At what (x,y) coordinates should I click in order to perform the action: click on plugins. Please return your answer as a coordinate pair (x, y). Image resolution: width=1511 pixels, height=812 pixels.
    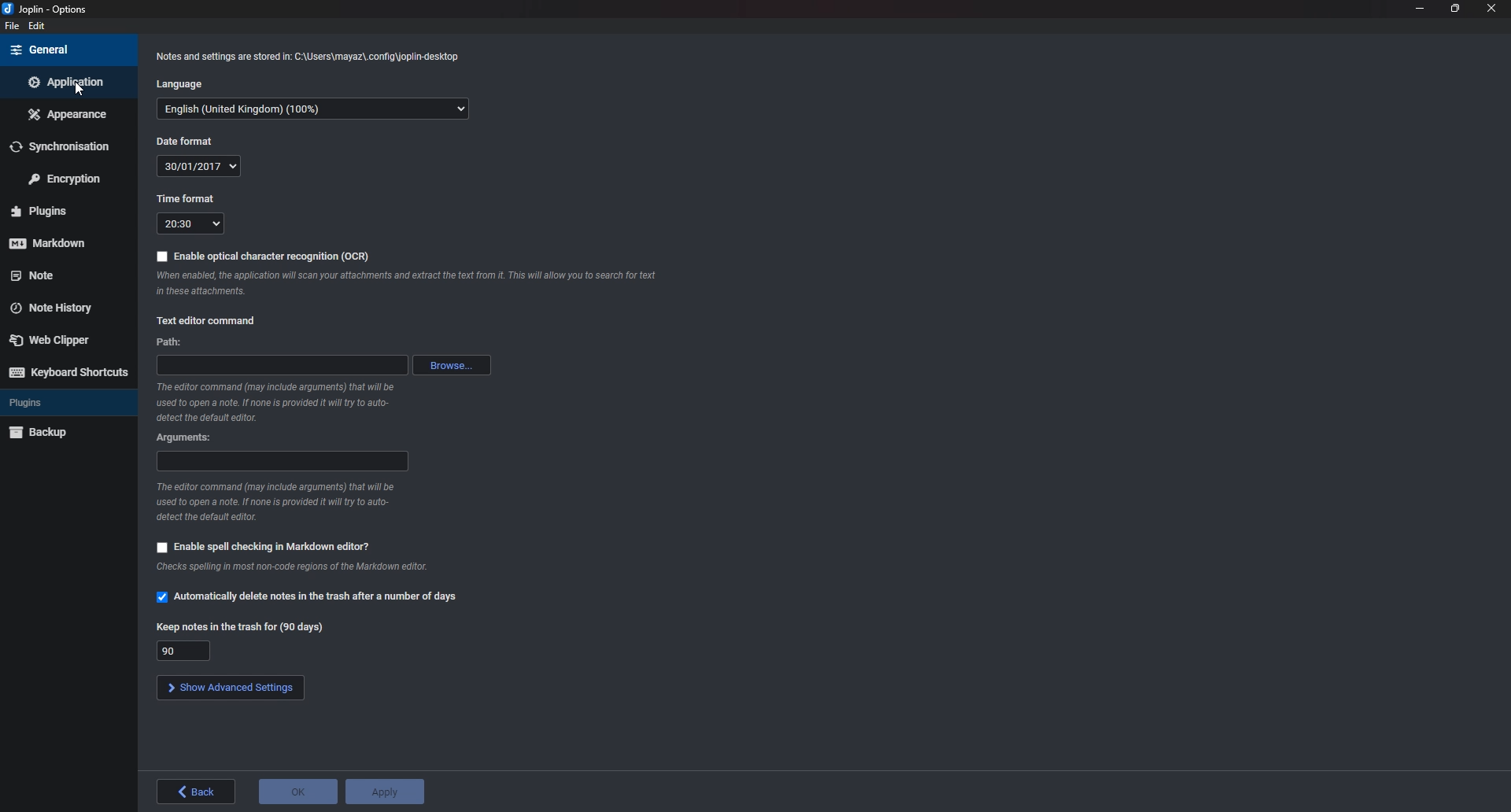
    Looking at the image, I should click on (61, 210).